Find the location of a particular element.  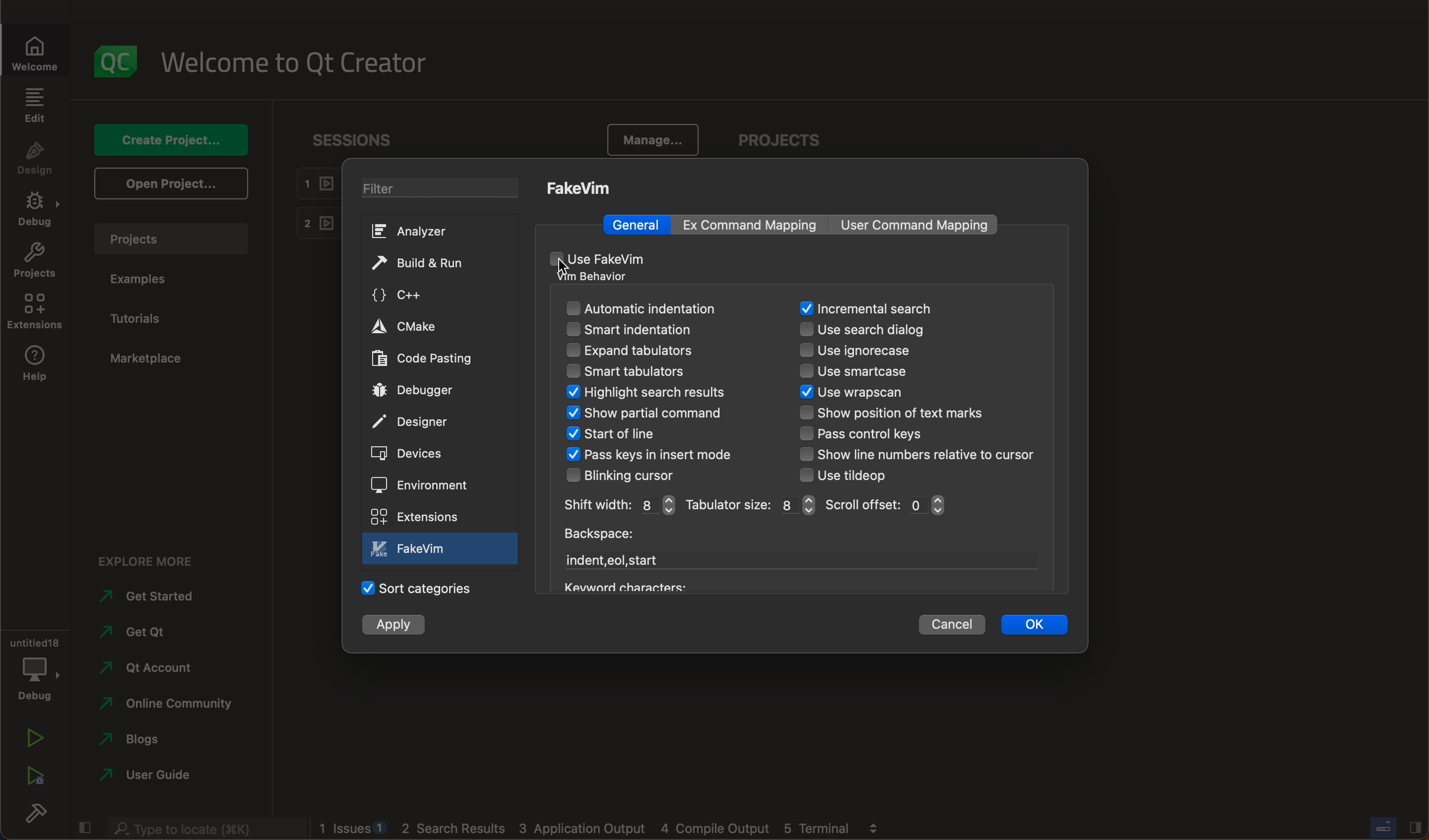

debugger is located at coordinates (420, 390).